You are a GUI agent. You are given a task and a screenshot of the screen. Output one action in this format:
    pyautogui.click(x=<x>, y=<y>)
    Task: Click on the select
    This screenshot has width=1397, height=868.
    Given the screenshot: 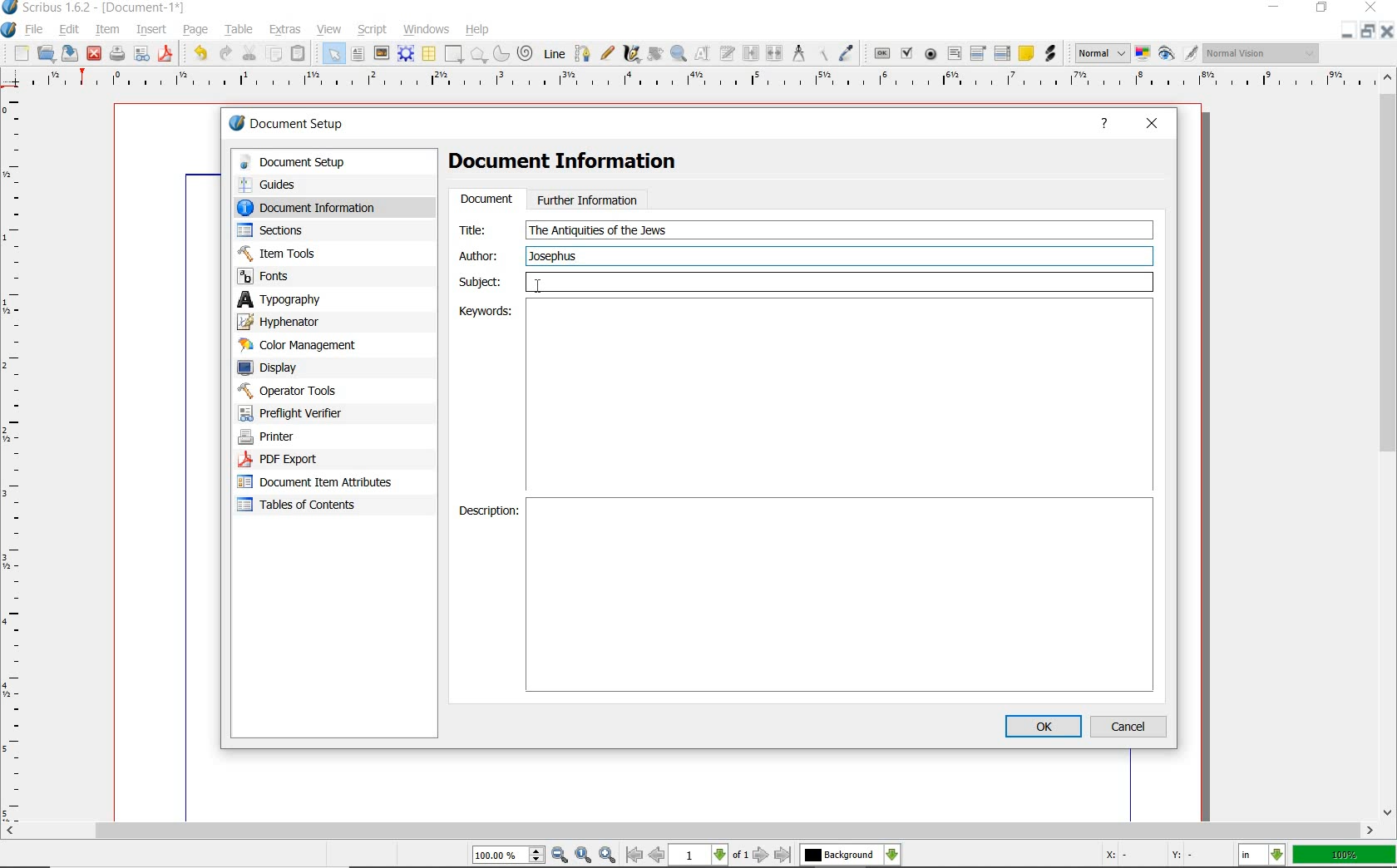 What is the action you would take?
    pyautogui.click(x=335, y=53)
    